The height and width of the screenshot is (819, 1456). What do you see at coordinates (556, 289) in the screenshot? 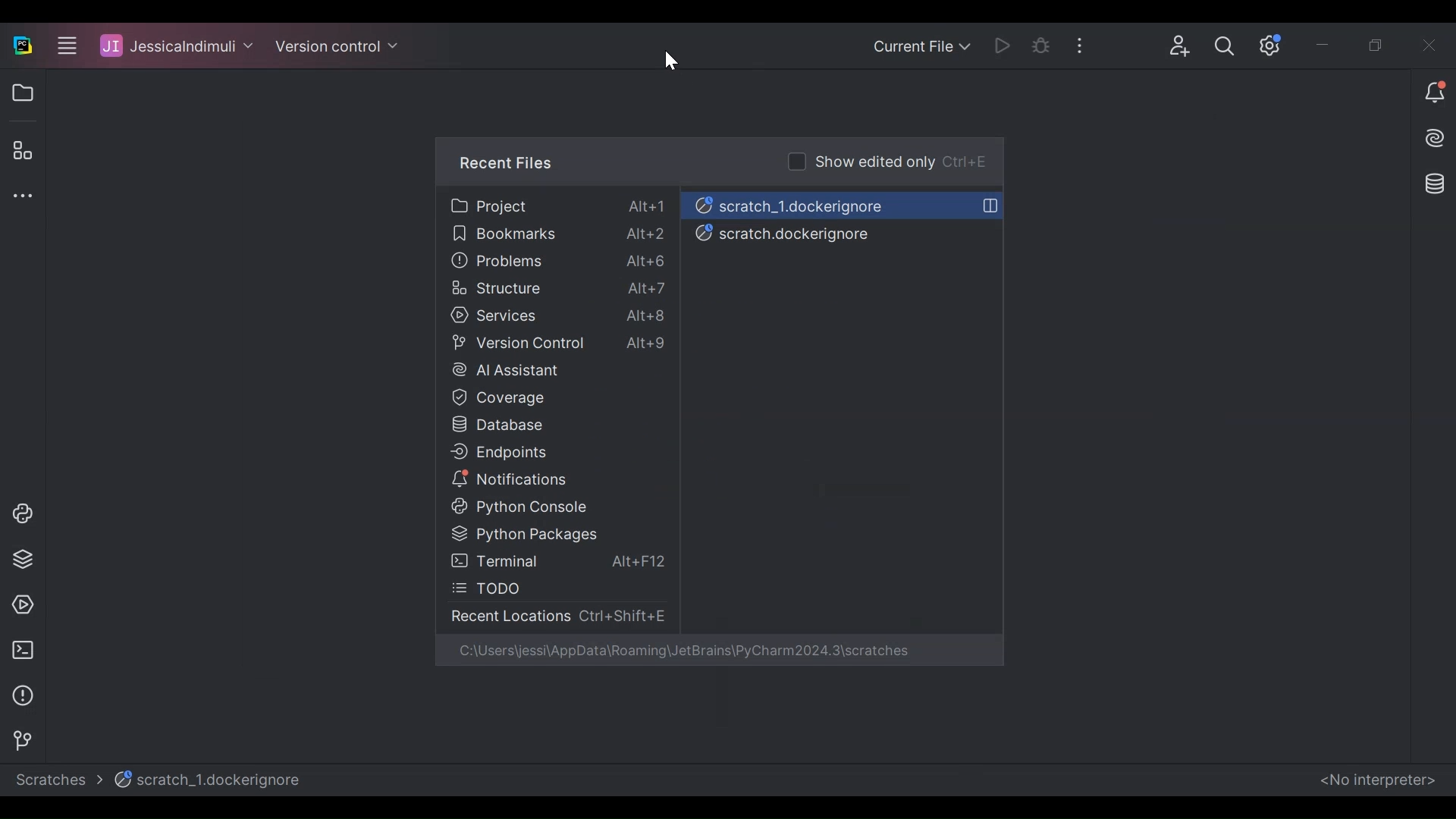
I see `Structure` at bounding box center [556, 289].